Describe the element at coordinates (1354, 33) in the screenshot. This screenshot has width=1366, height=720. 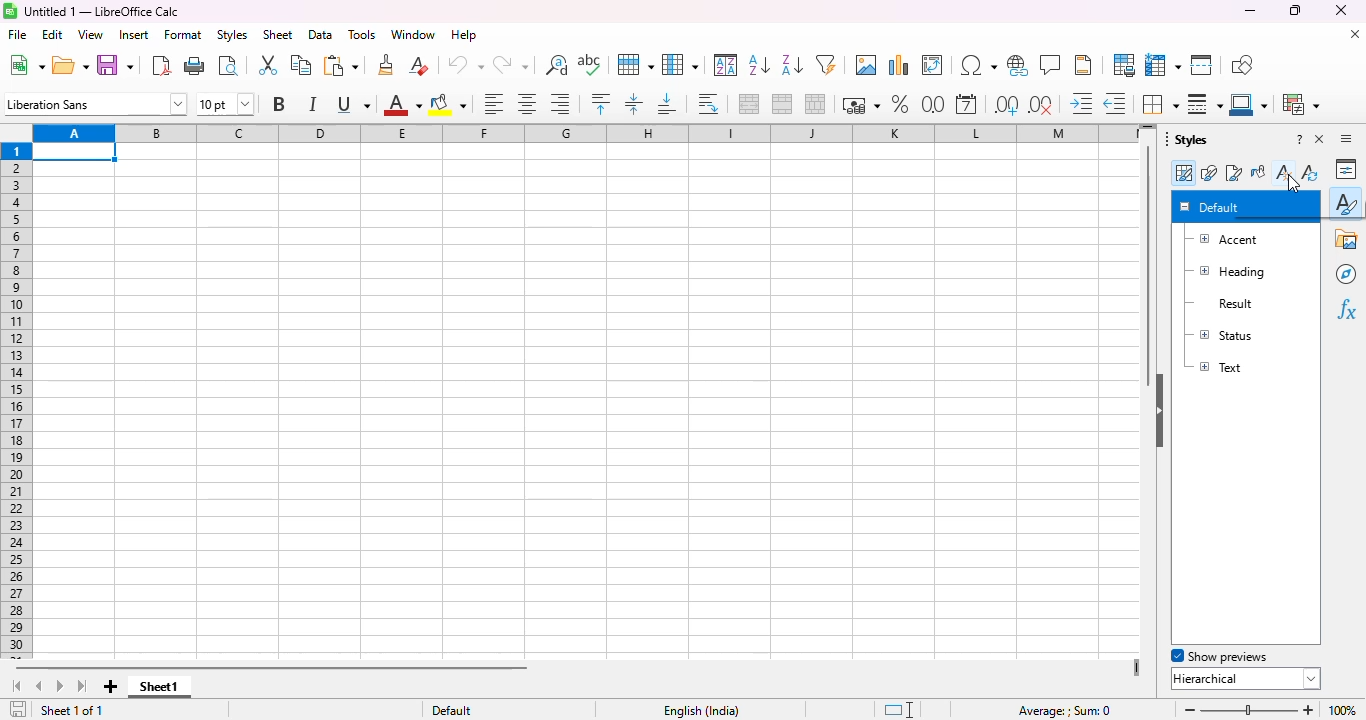
I see `close document` at that location.